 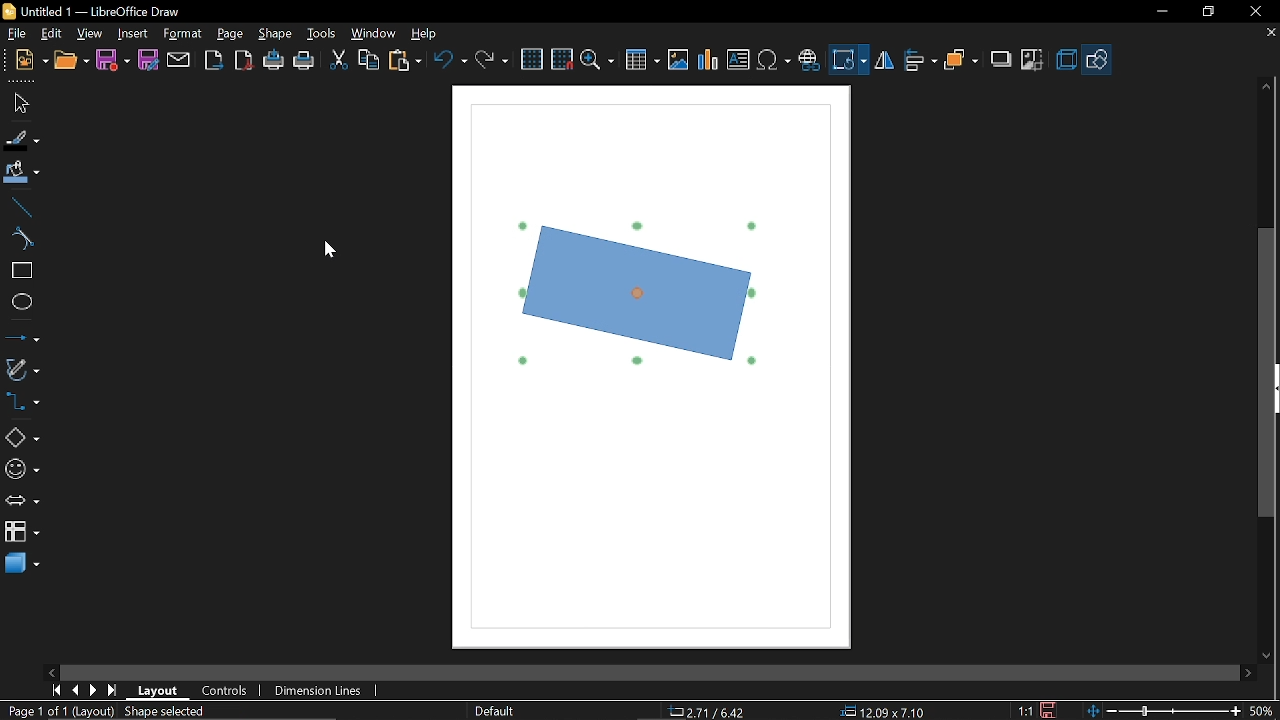 I want to click on attach, so click(x=179, y=60).